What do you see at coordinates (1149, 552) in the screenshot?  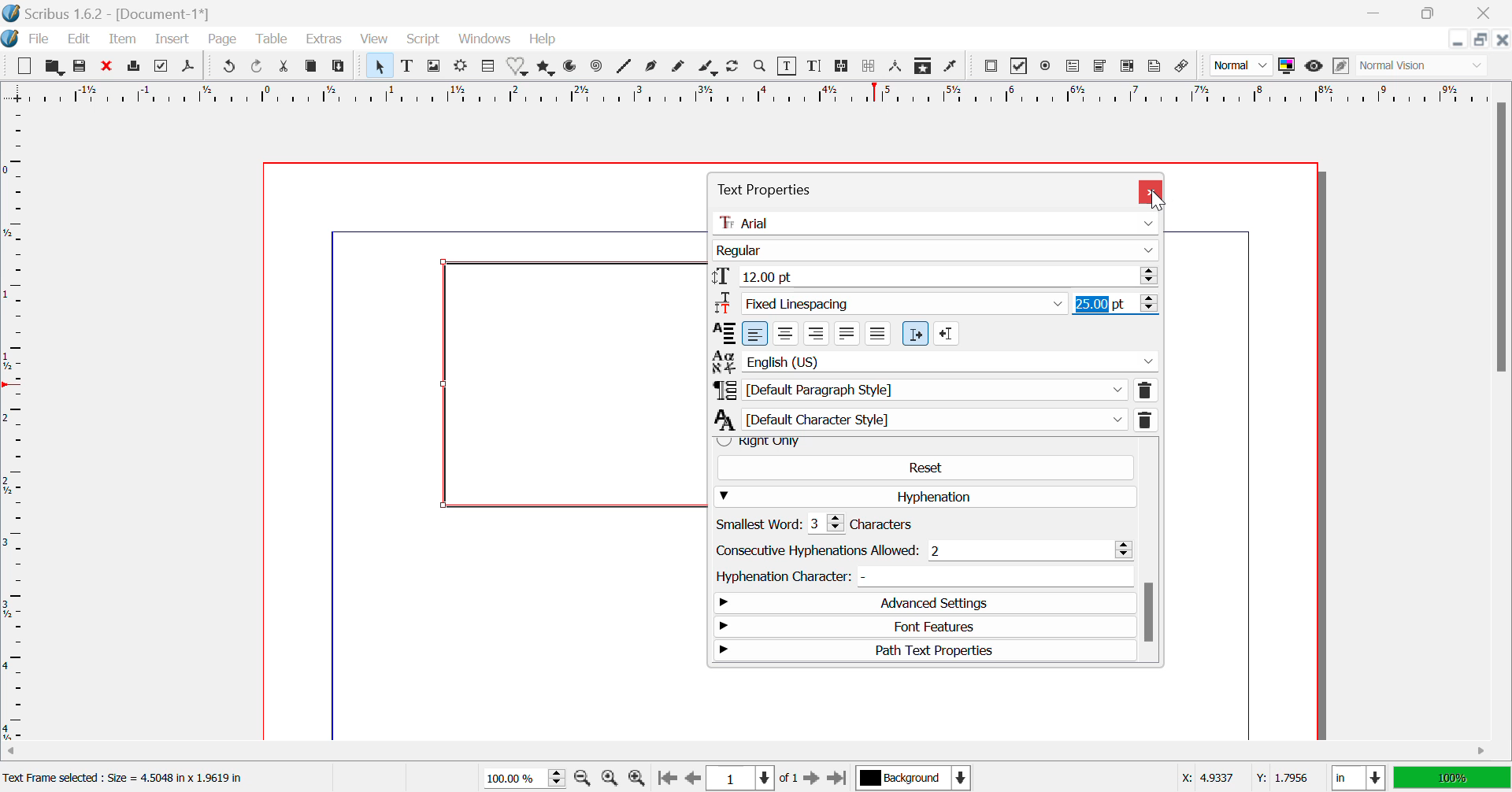 I see `Scroll Bar` at bounding box center [1149, 552].